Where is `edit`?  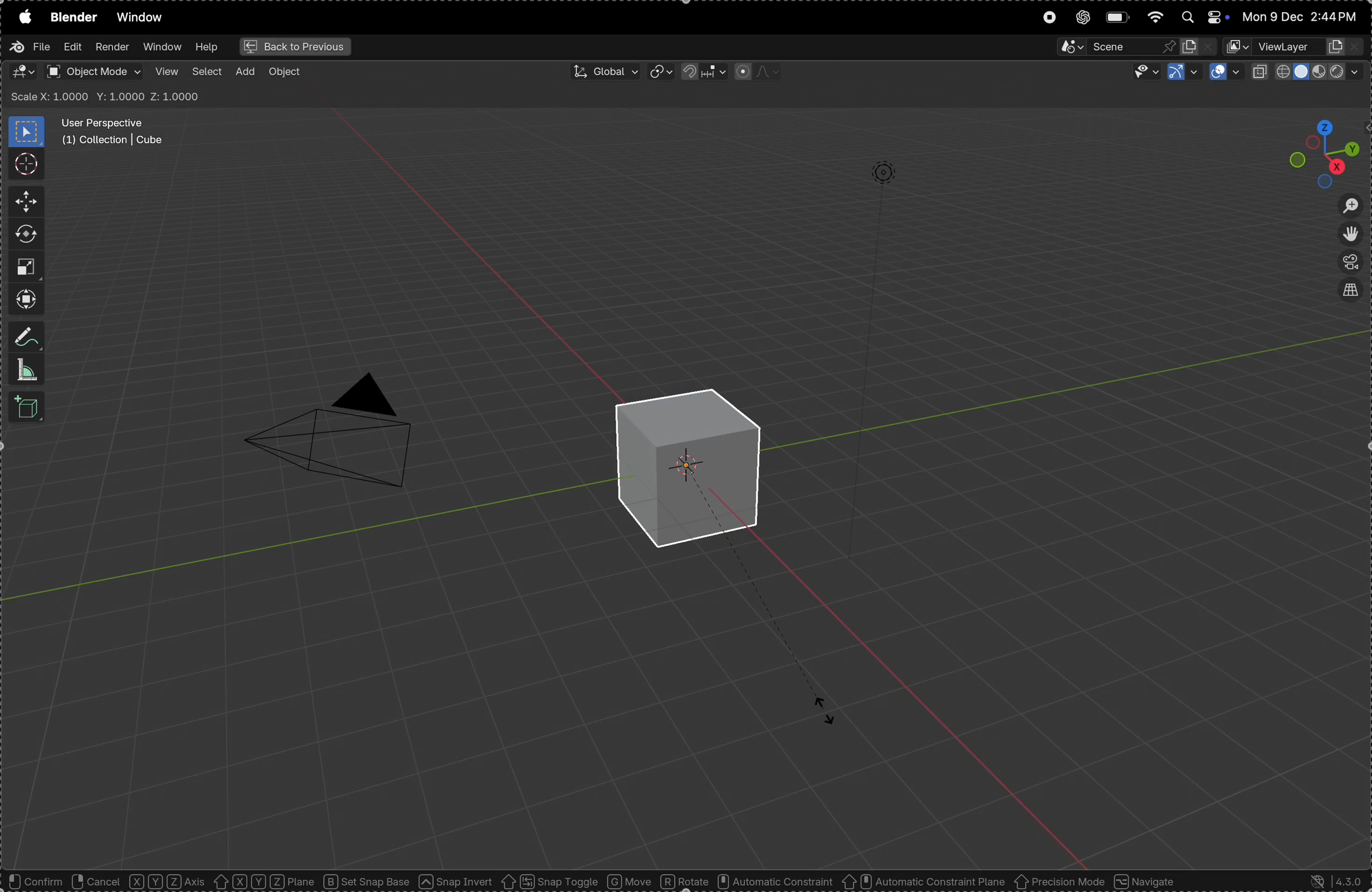
edit is located at coordinates (70, 47).